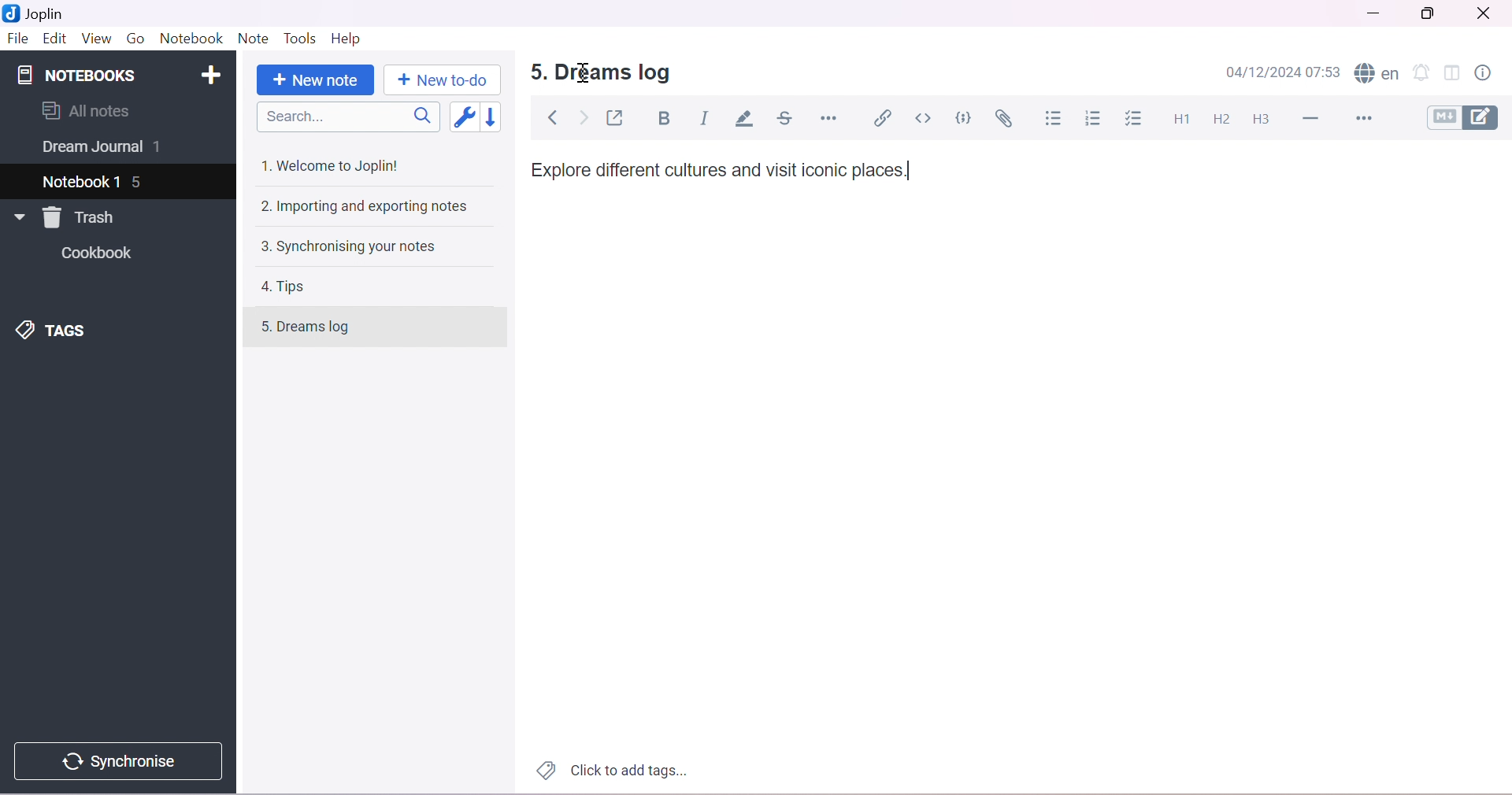 This screenshot has width=1512, height=795. I want to click on 5, so click(141, 183).